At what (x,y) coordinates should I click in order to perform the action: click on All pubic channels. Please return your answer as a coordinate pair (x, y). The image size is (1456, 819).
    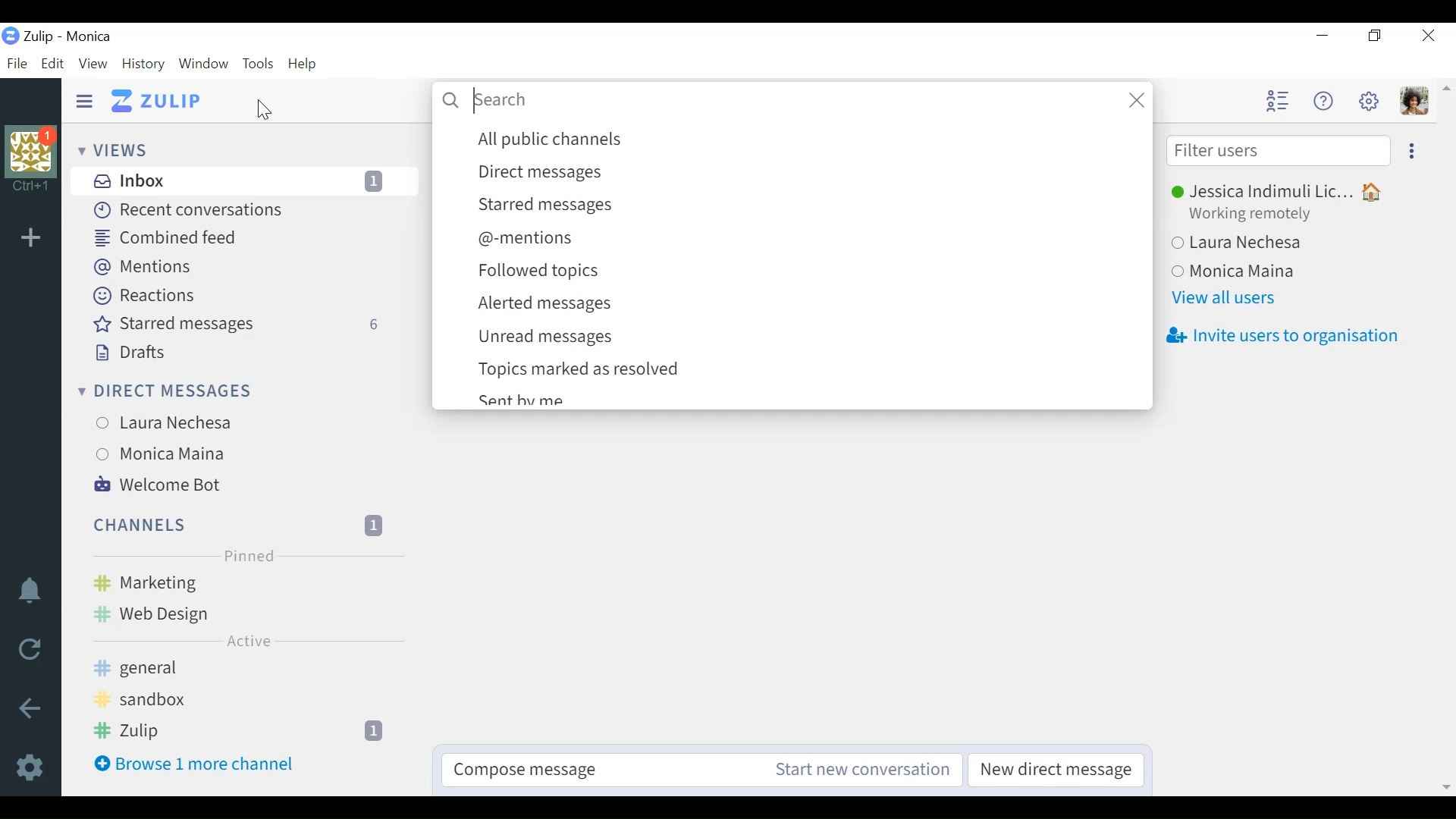
    Looking at the image, I should click on (809, 141).